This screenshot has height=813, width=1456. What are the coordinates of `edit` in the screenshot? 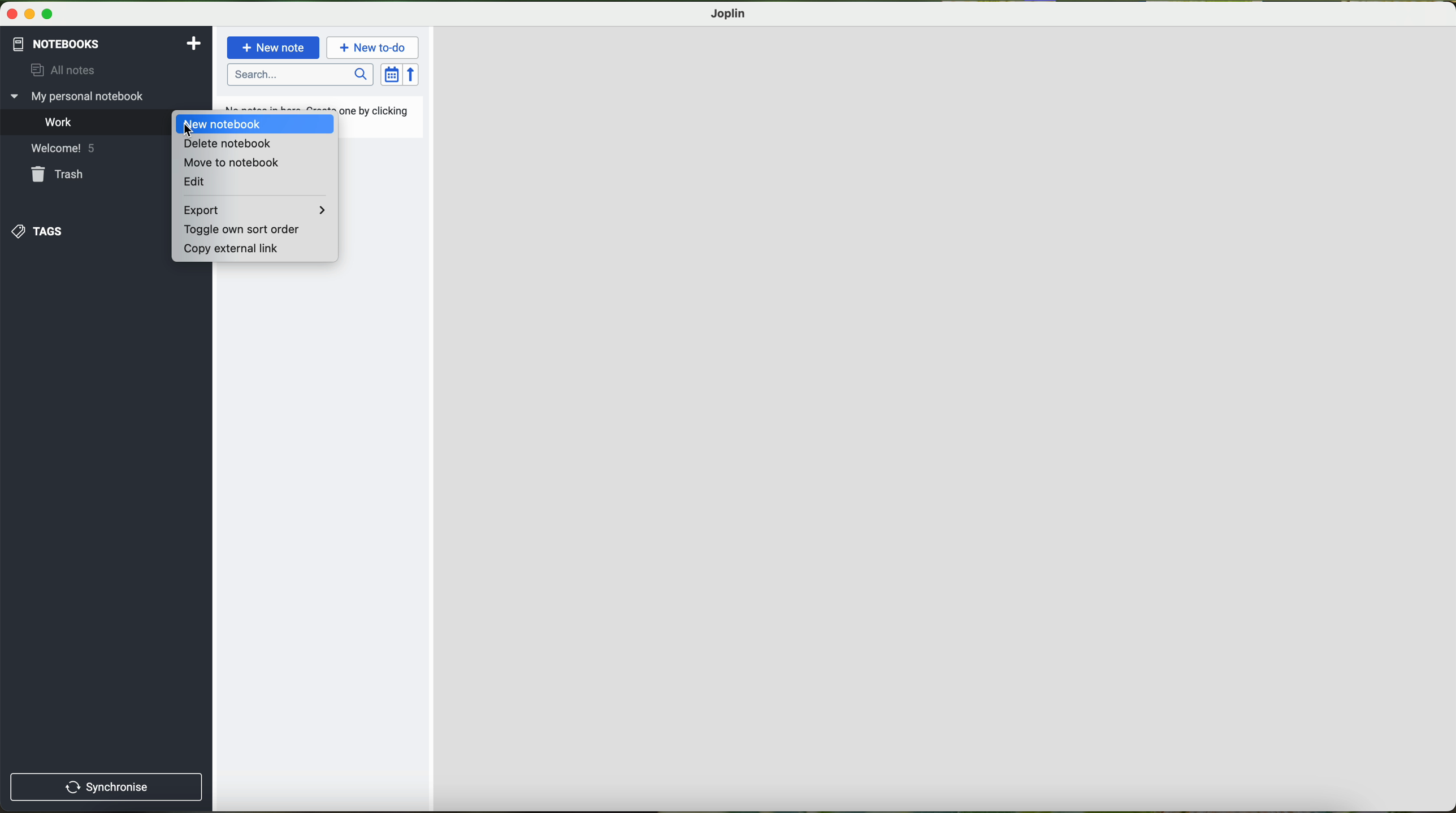 It's located at (193, 183).